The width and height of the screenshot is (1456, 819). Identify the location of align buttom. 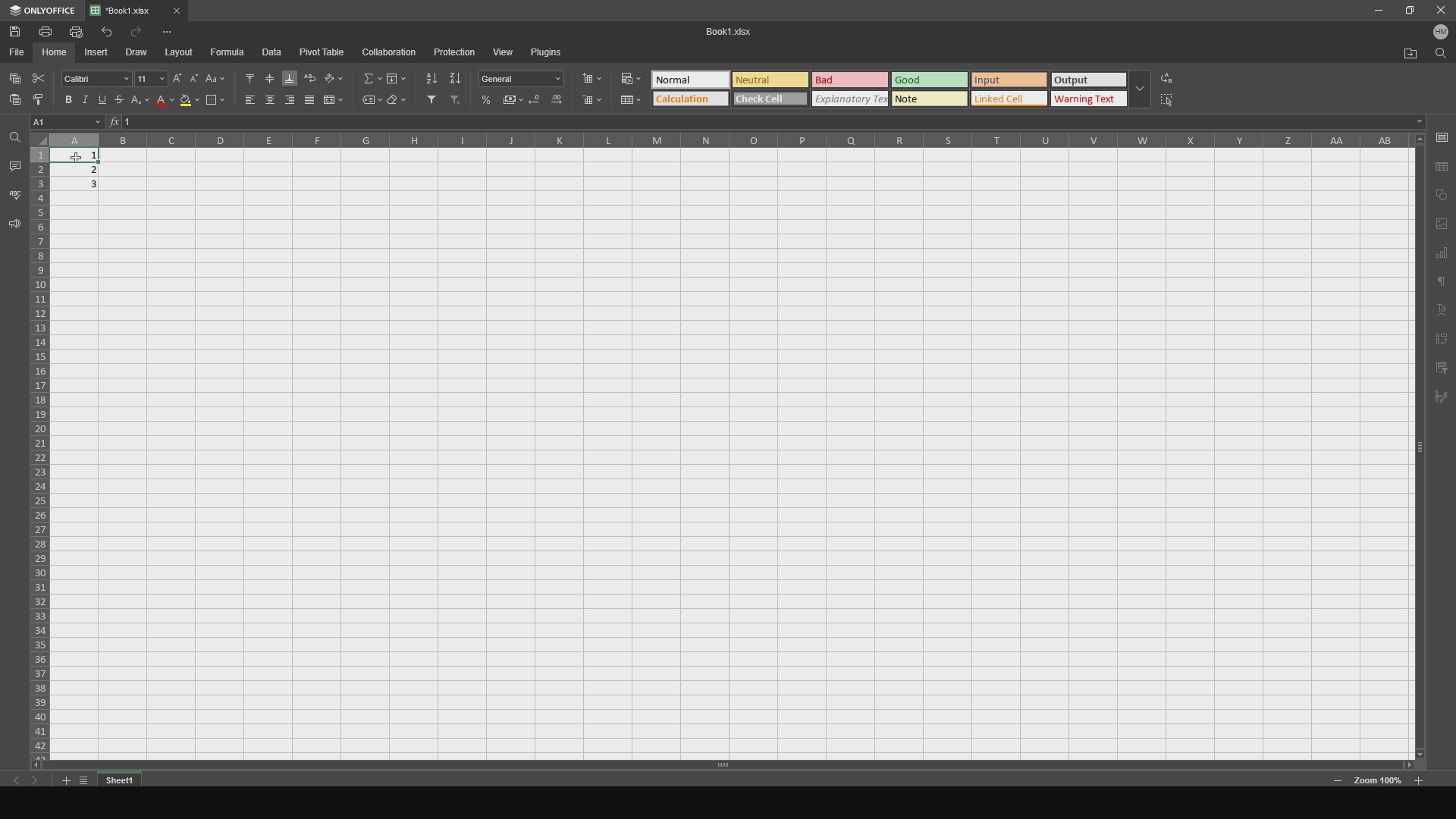
(289, 75).